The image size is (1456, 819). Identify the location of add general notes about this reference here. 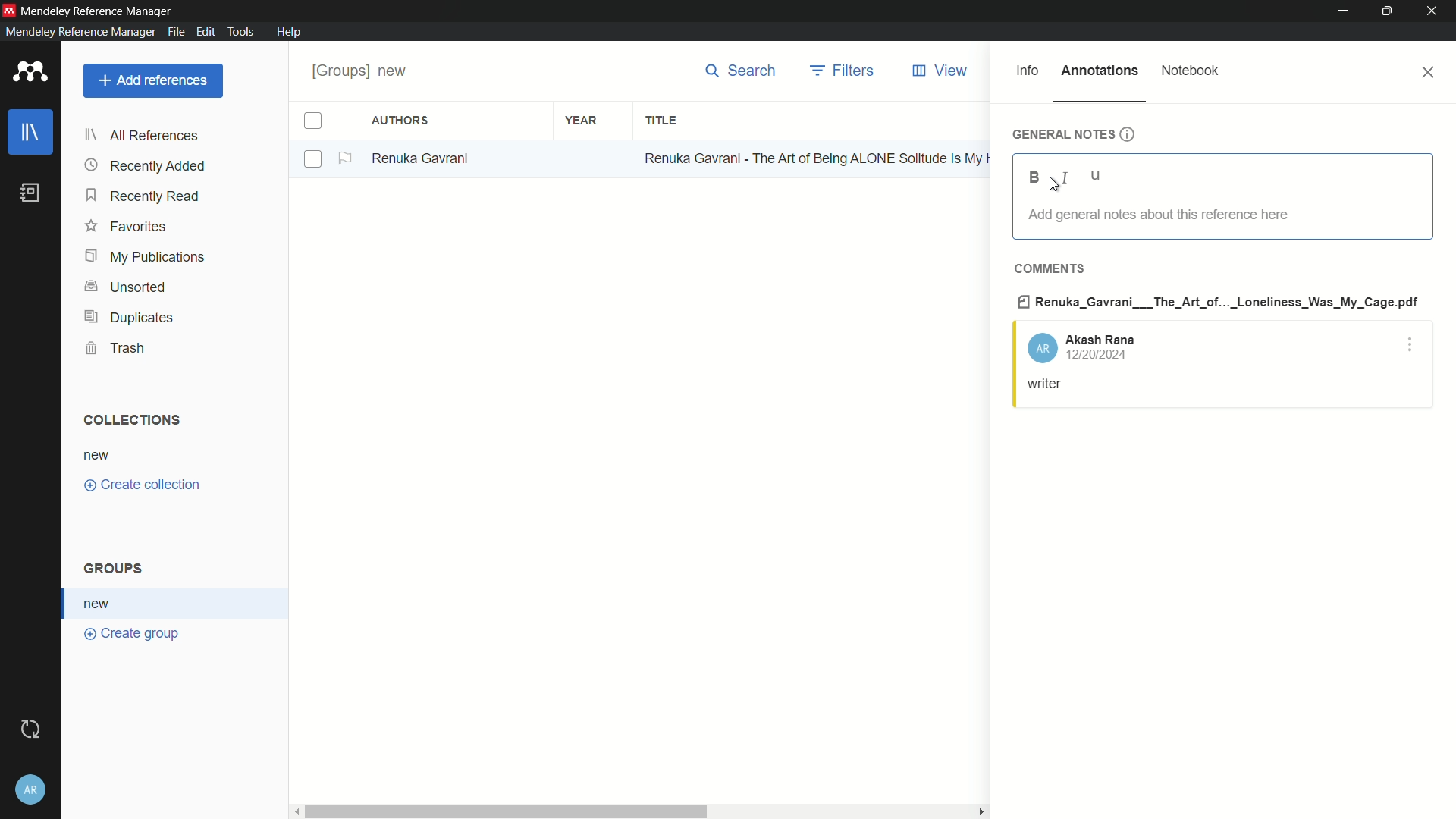
(1156, 215).